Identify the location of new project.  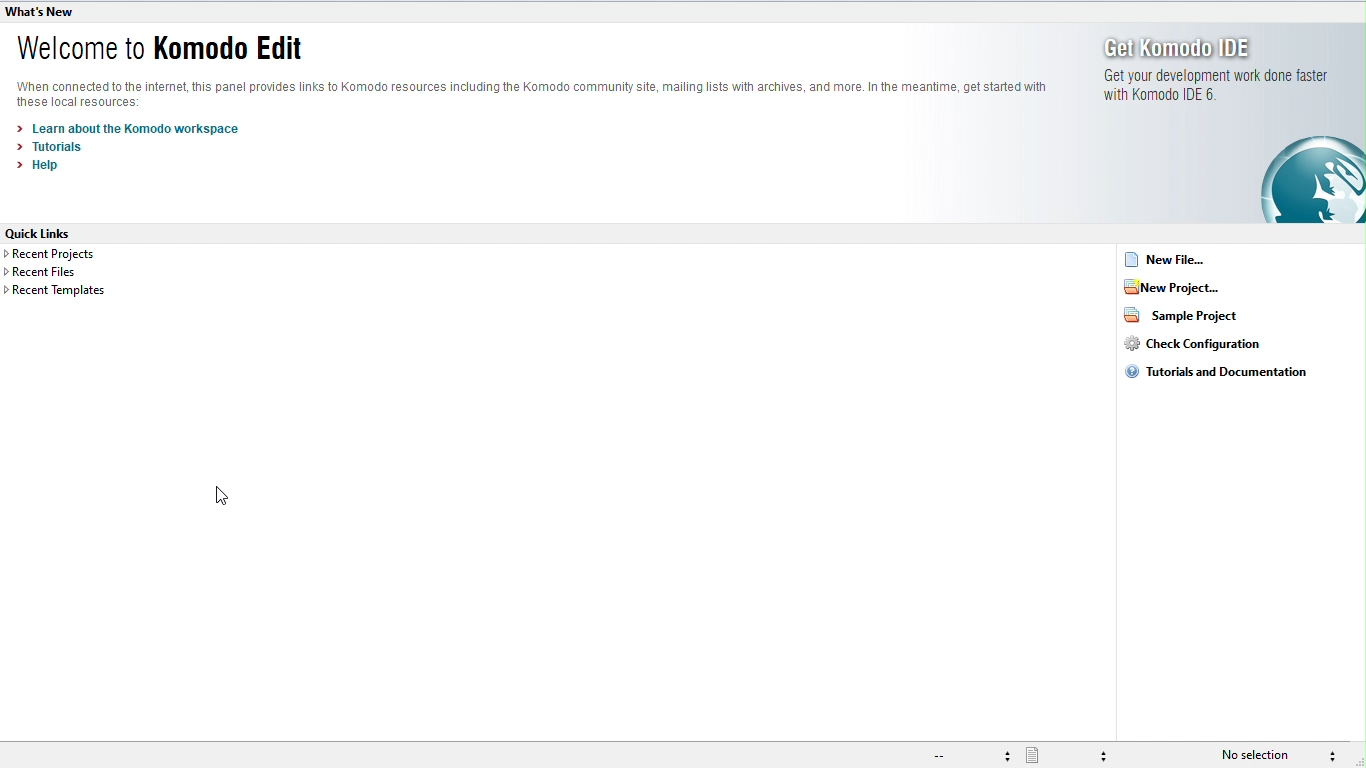
(1198, 287).